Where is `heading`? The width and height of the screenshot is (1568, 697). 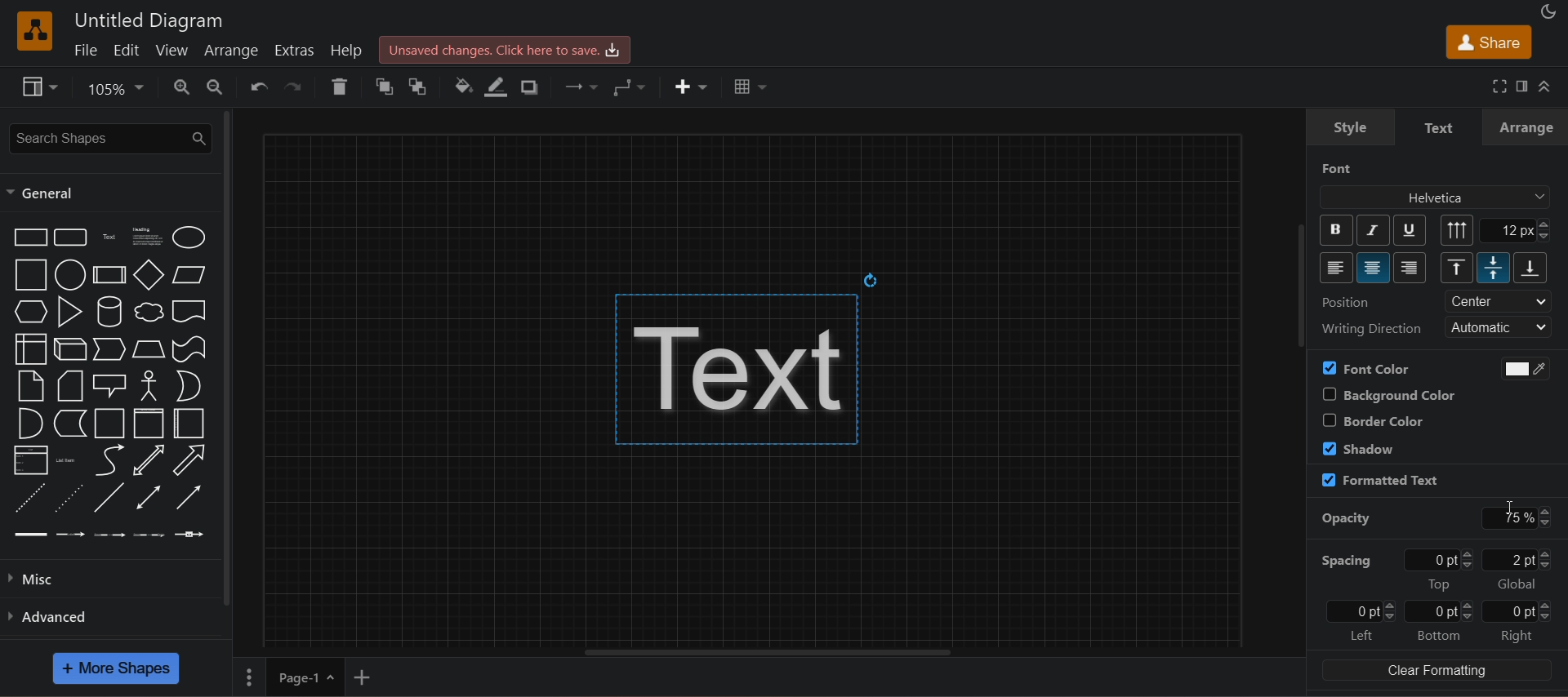 heading is located at coordinates (147, 238).